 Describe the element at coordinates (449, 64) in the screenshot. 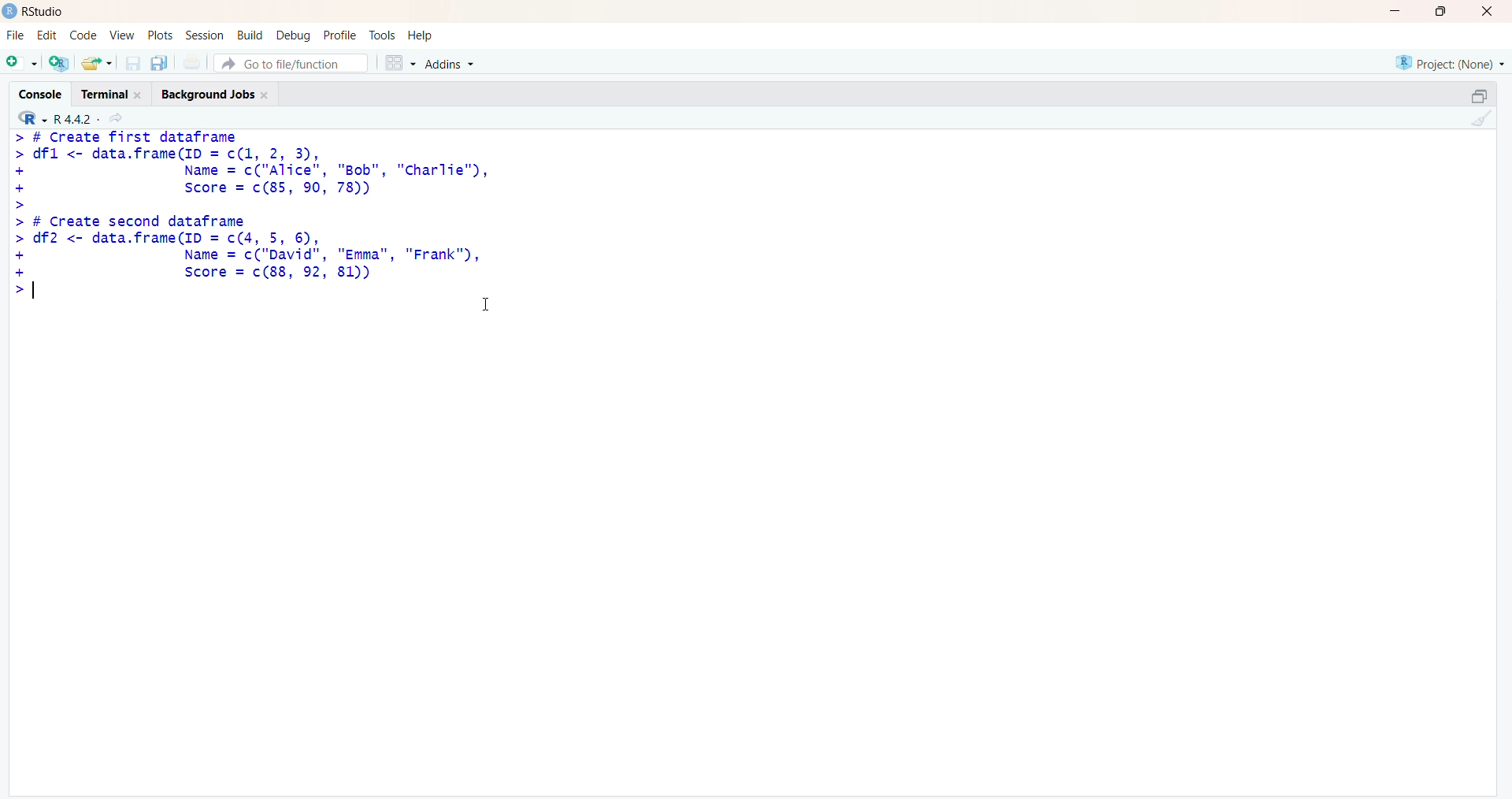

I see `Addins ` at that location.